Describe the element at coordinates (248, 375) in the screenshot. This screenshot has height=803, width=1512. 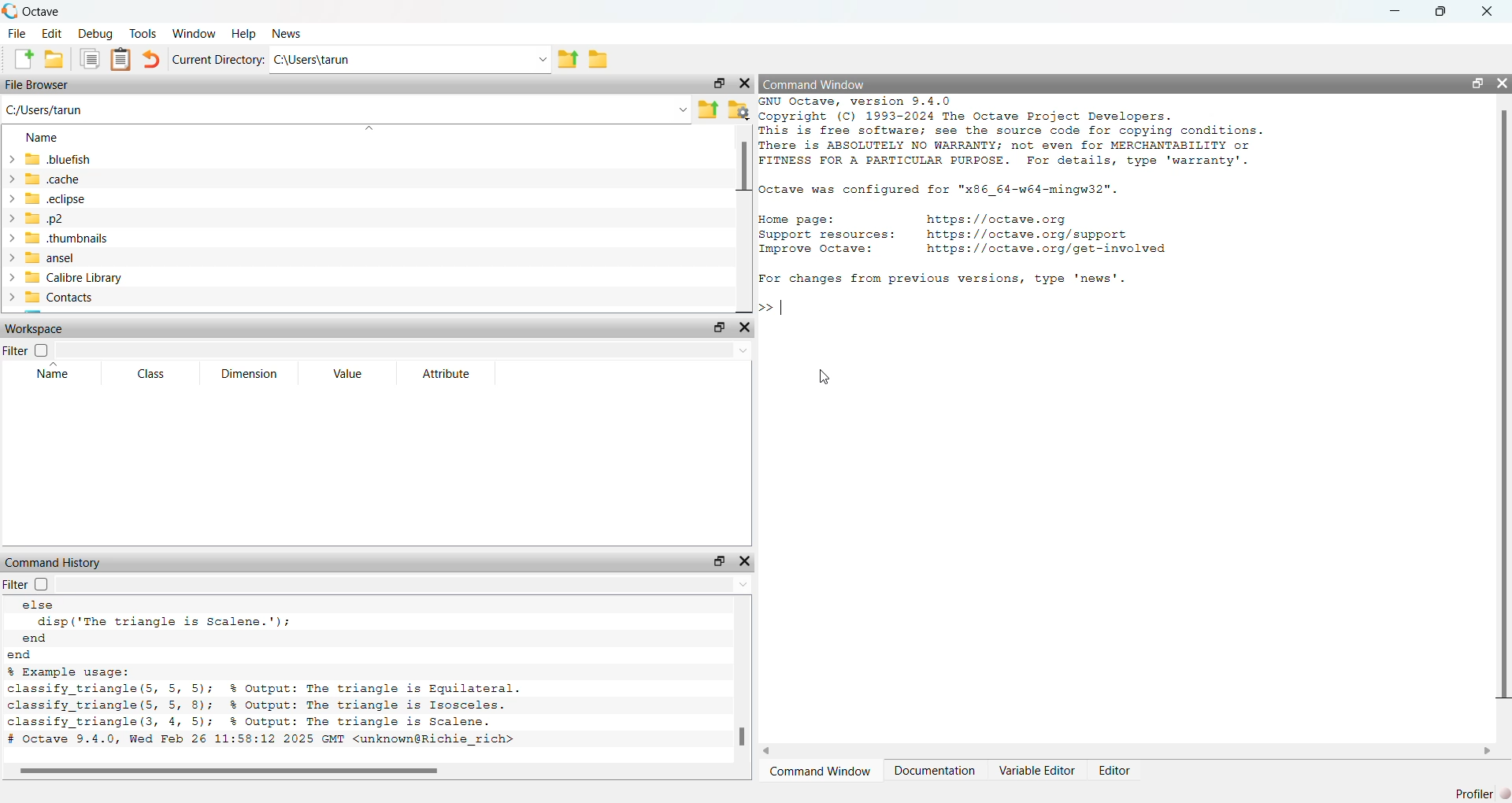
I see `dimension` at that location.